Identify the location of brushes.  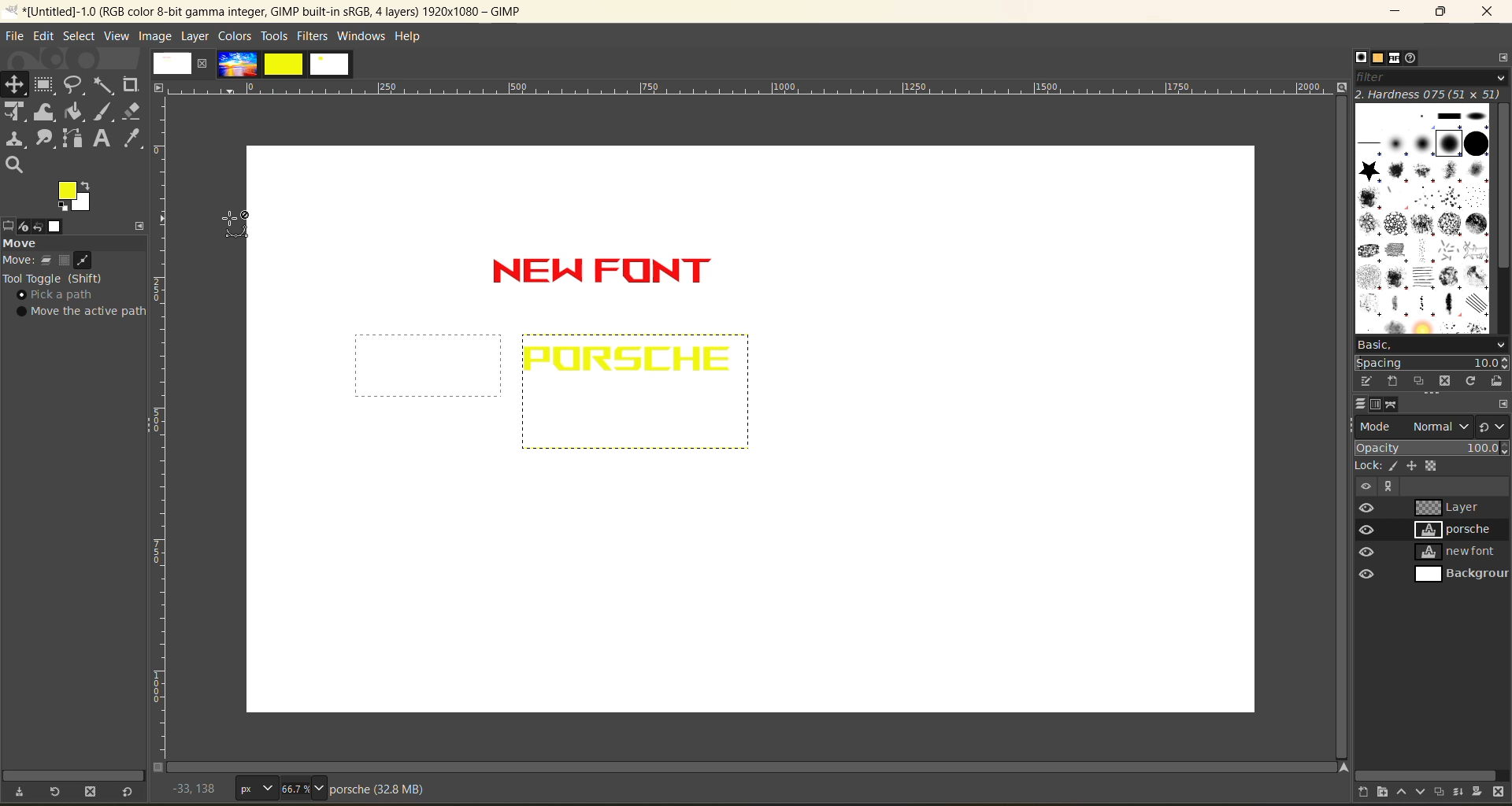
(1421, 220).